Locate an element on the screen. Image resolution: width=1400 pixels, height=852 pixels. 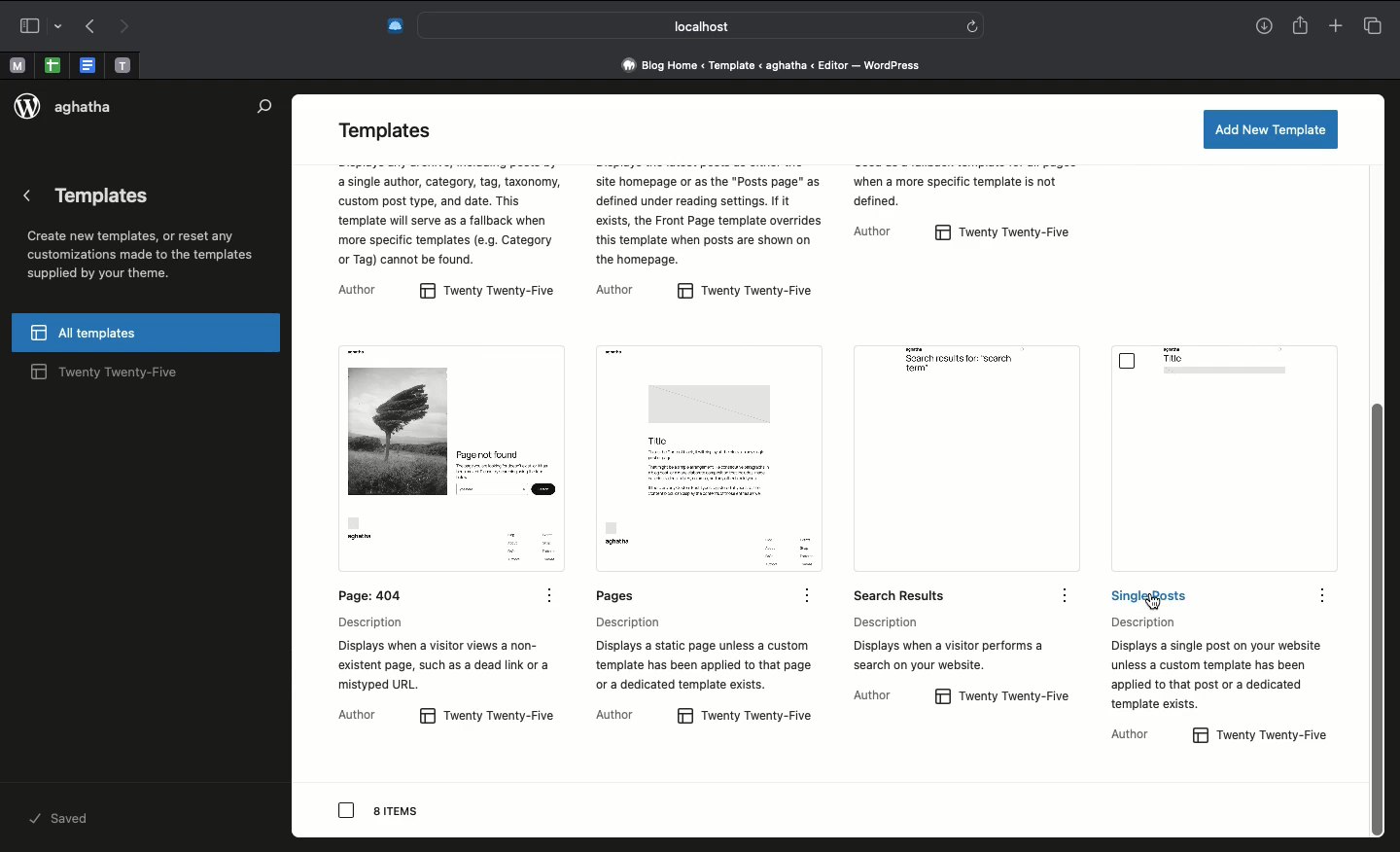
Pages is located at coordinates (707, 476).